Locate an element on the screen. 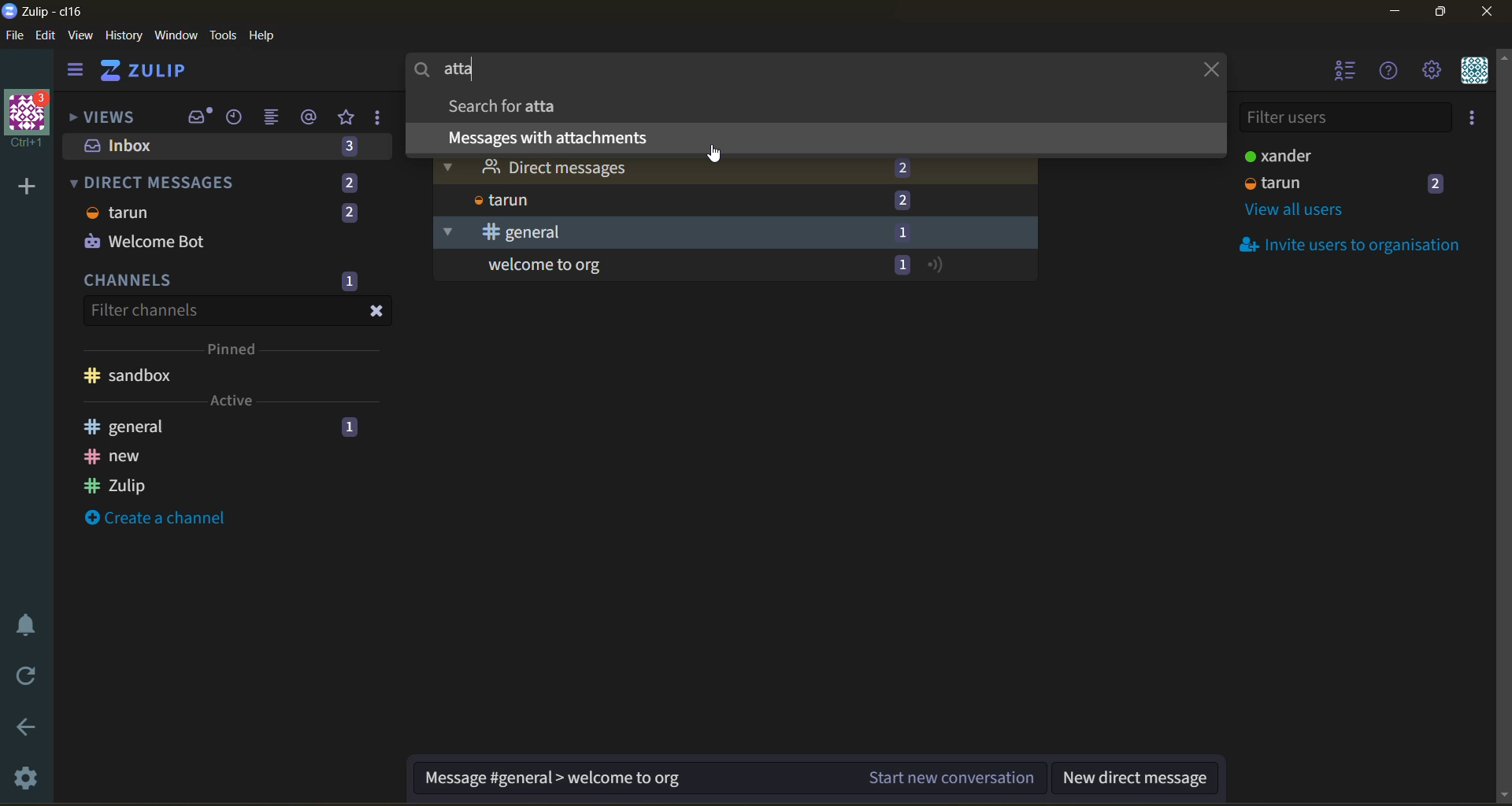  filter users is located at coordinates (1344, 119).